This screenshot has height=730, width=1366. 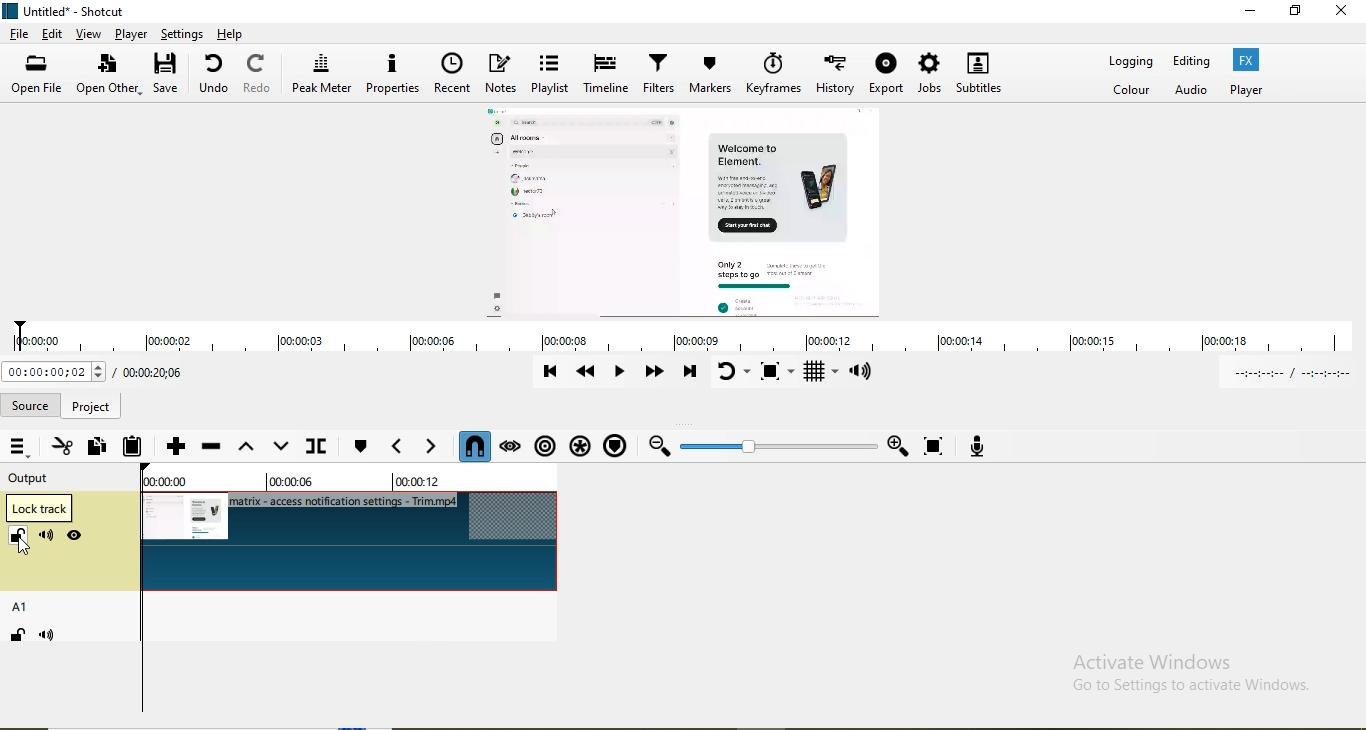 I want to click on unlocked video track, so click(x=353, y=542).